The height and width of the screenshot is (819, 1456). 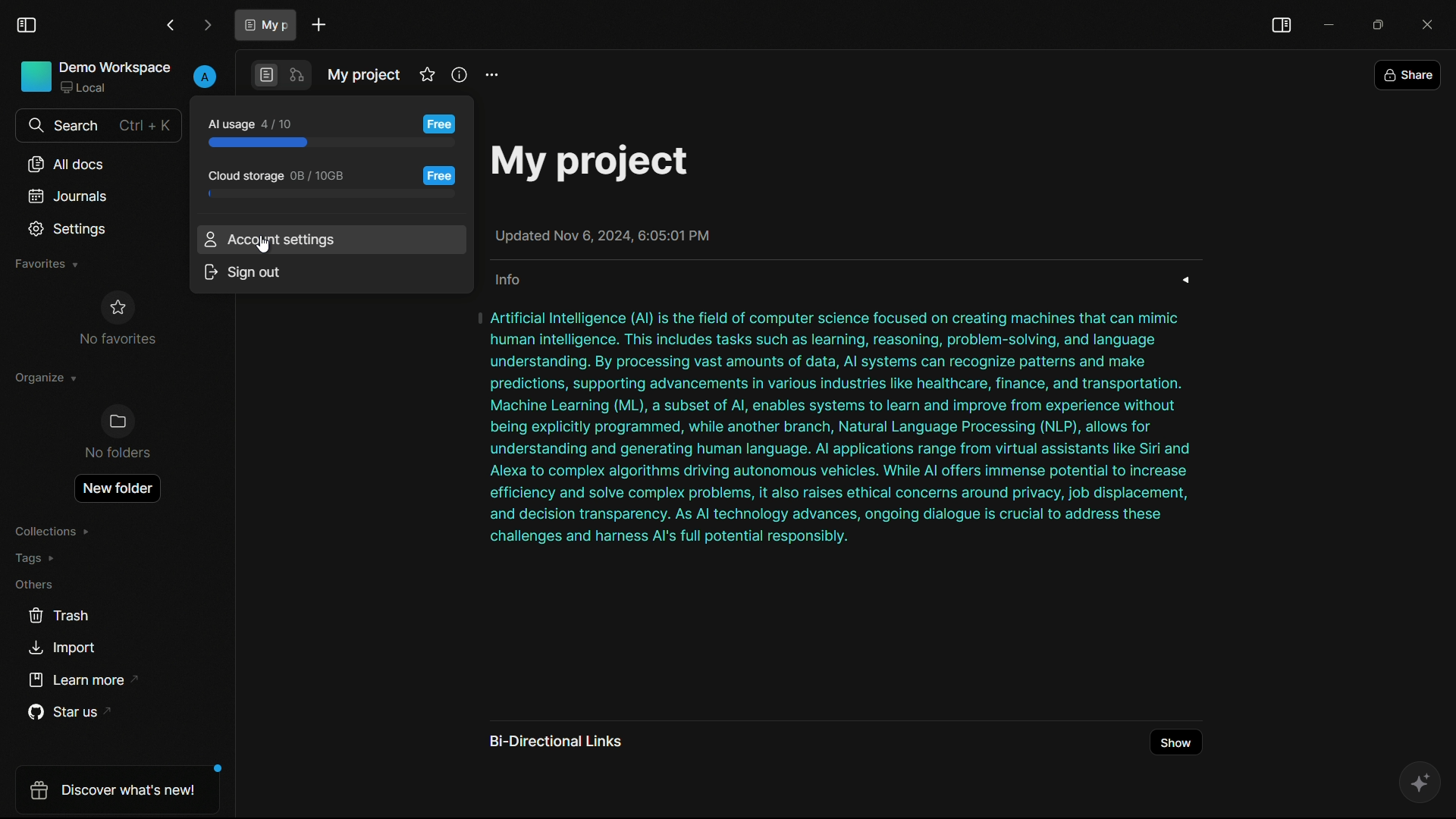 What do you see at coordinates (64, 165) in the screenshot?
I see `all documents` at bounding box center [64, 165].